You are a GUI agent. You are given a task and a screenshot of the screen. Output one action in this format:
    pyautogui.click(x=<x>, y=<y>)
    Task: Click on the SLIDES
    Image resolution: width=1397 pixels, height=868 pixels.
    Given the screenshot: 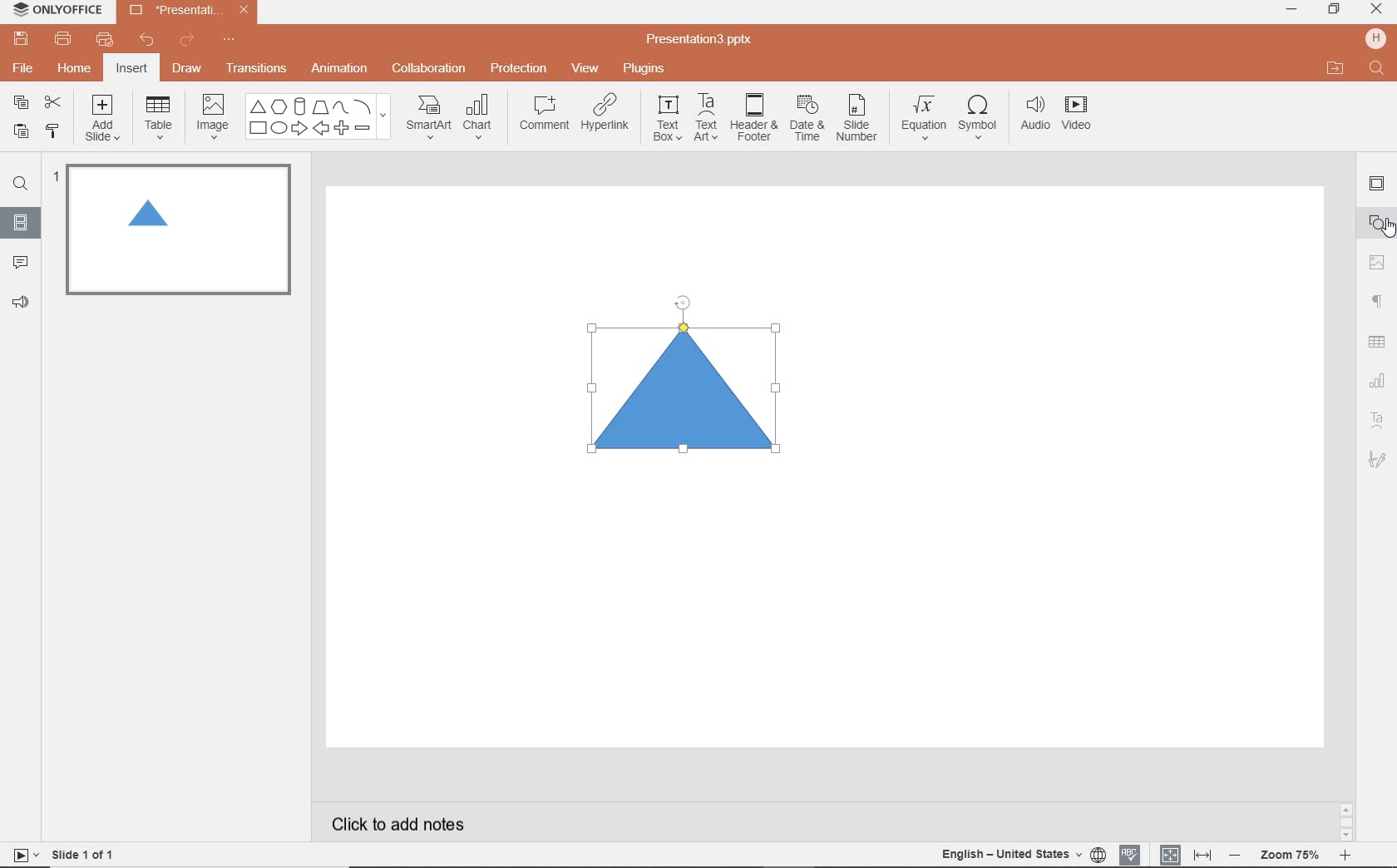 What is the action you would take?
    pyautogui.click(x=22, y=223)
    